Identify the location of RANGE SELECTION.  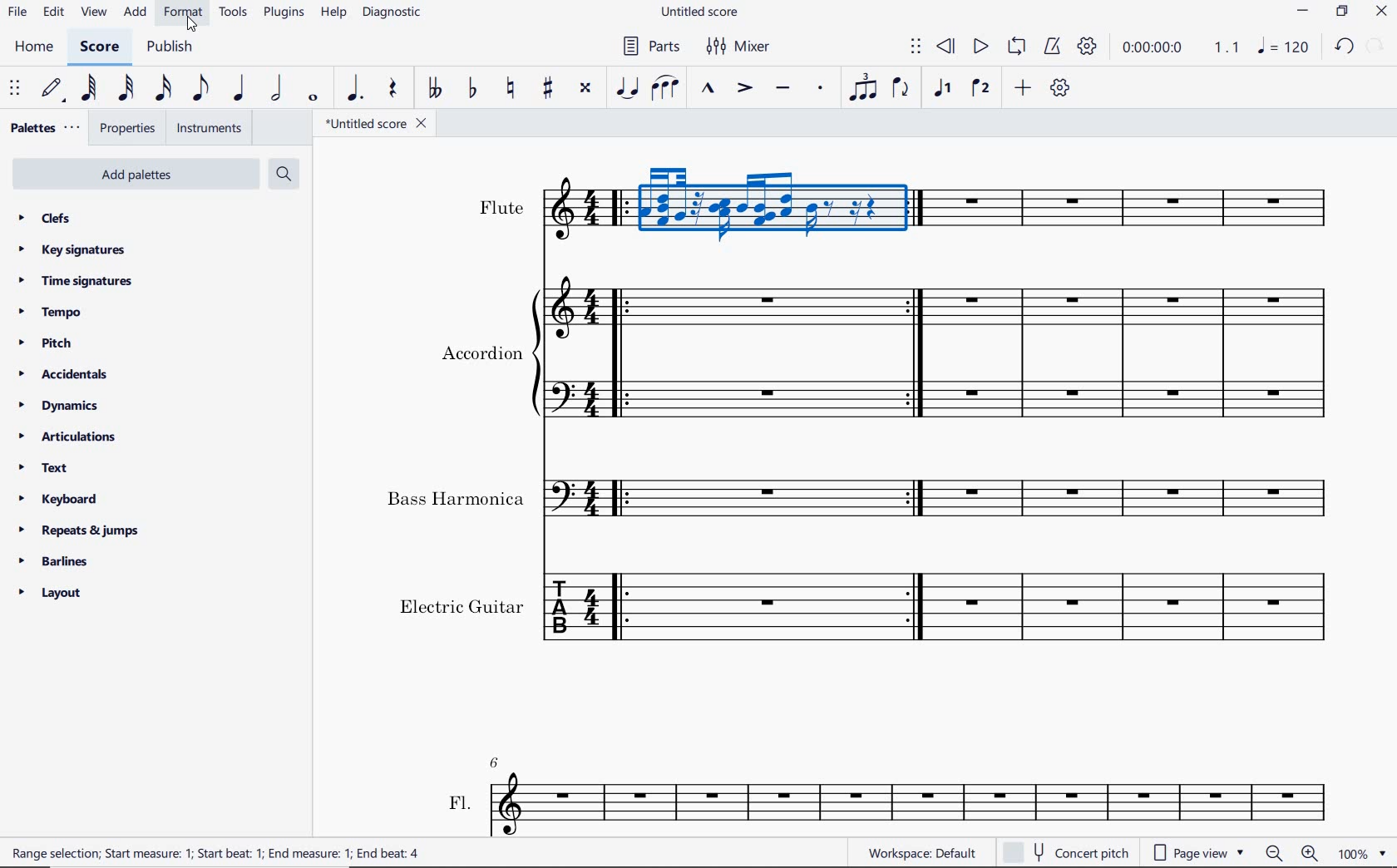
(229, 855).